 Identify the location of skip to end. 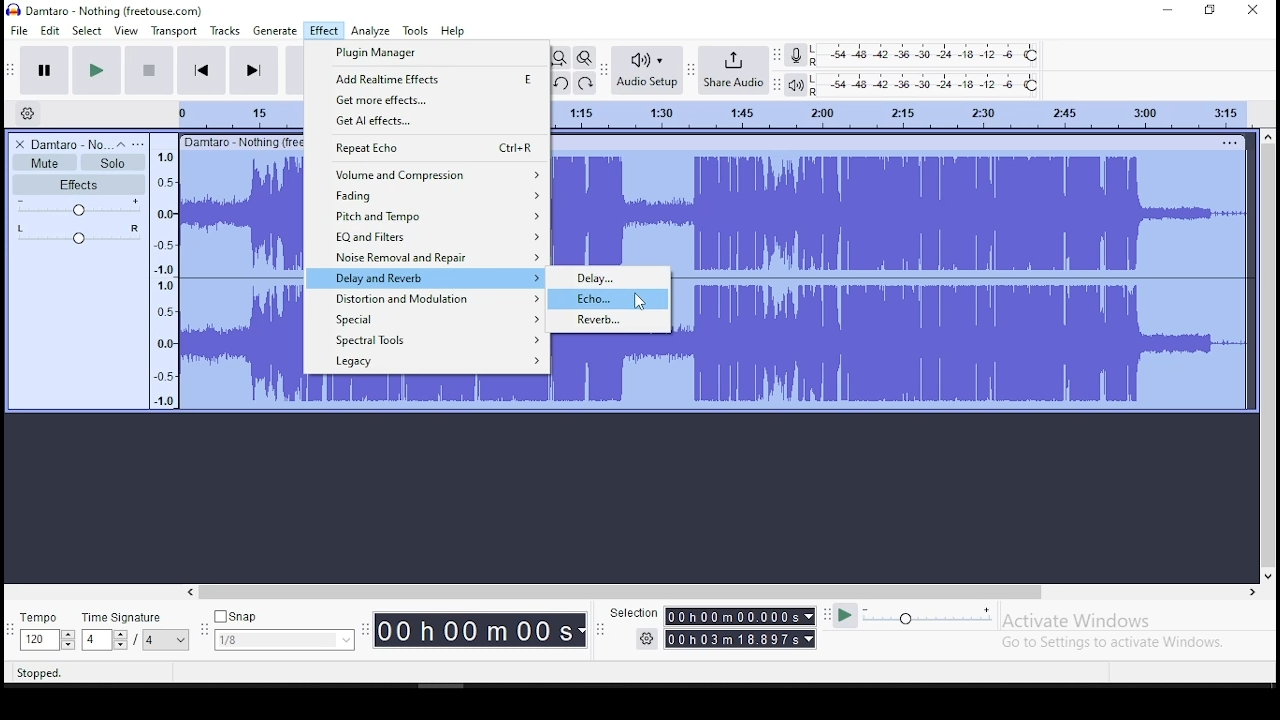
(252, 70).